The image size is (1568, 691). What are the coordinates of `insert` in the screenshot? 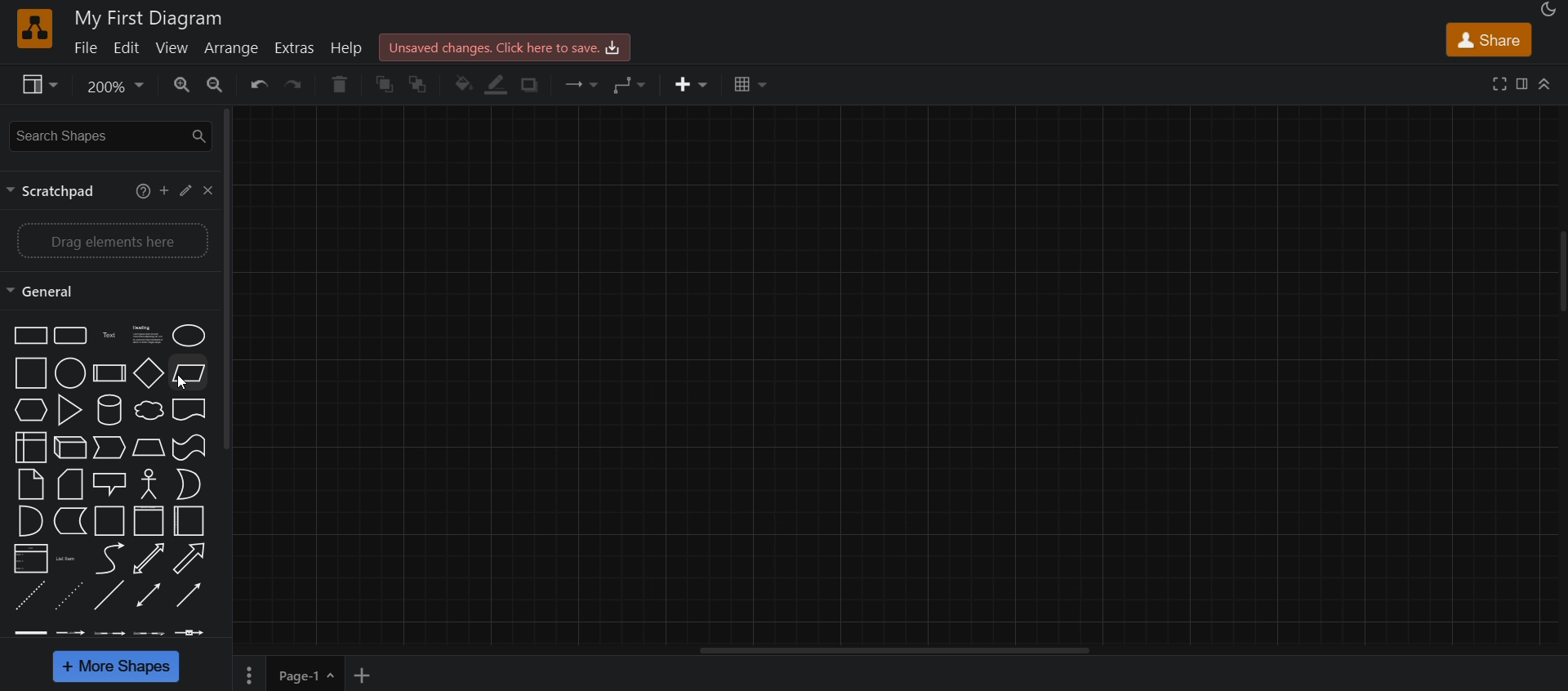 It's located at (691, 84).